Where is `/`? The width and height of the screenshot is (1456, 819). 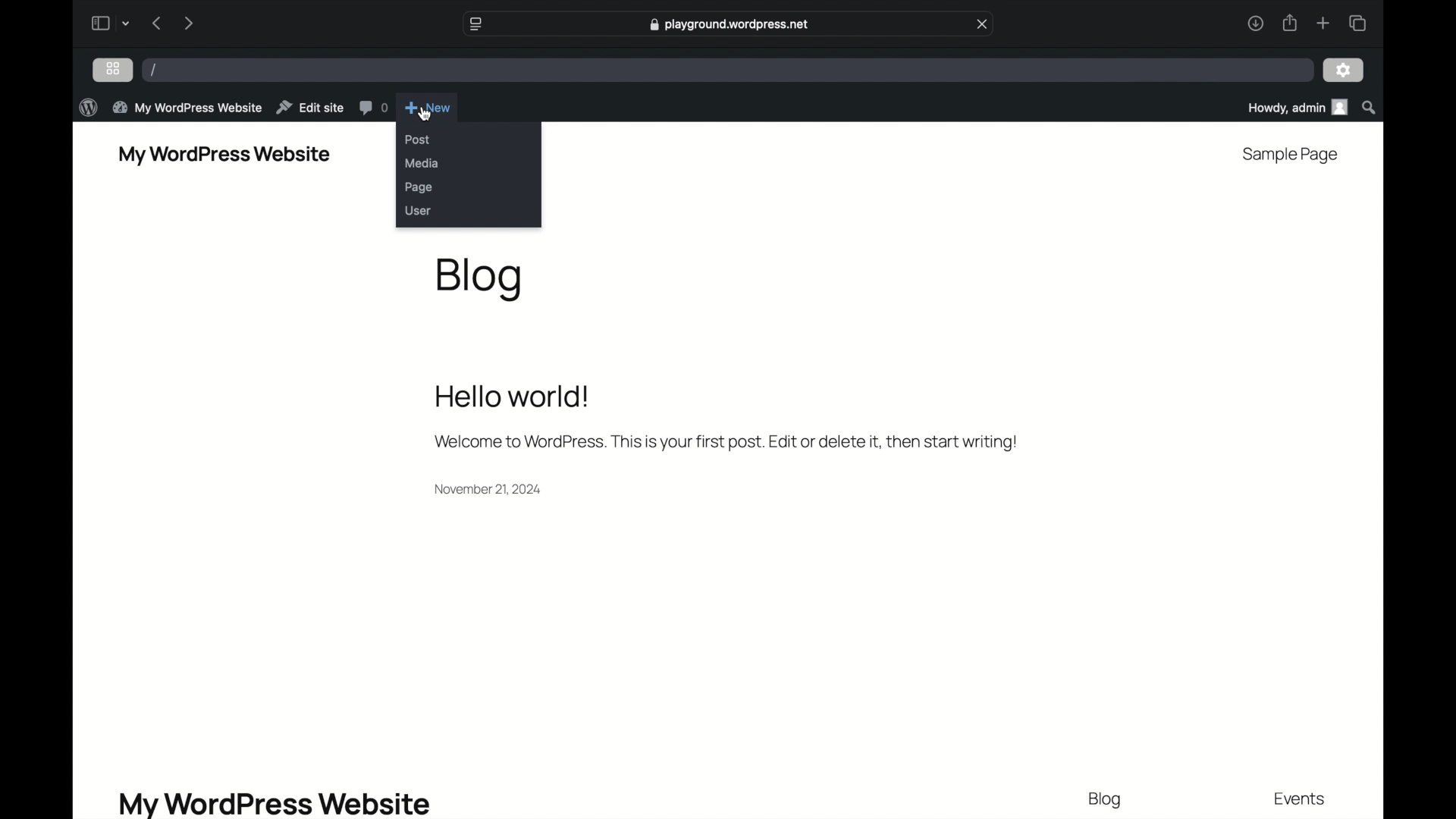
/ is located at coordinates (155, 70).